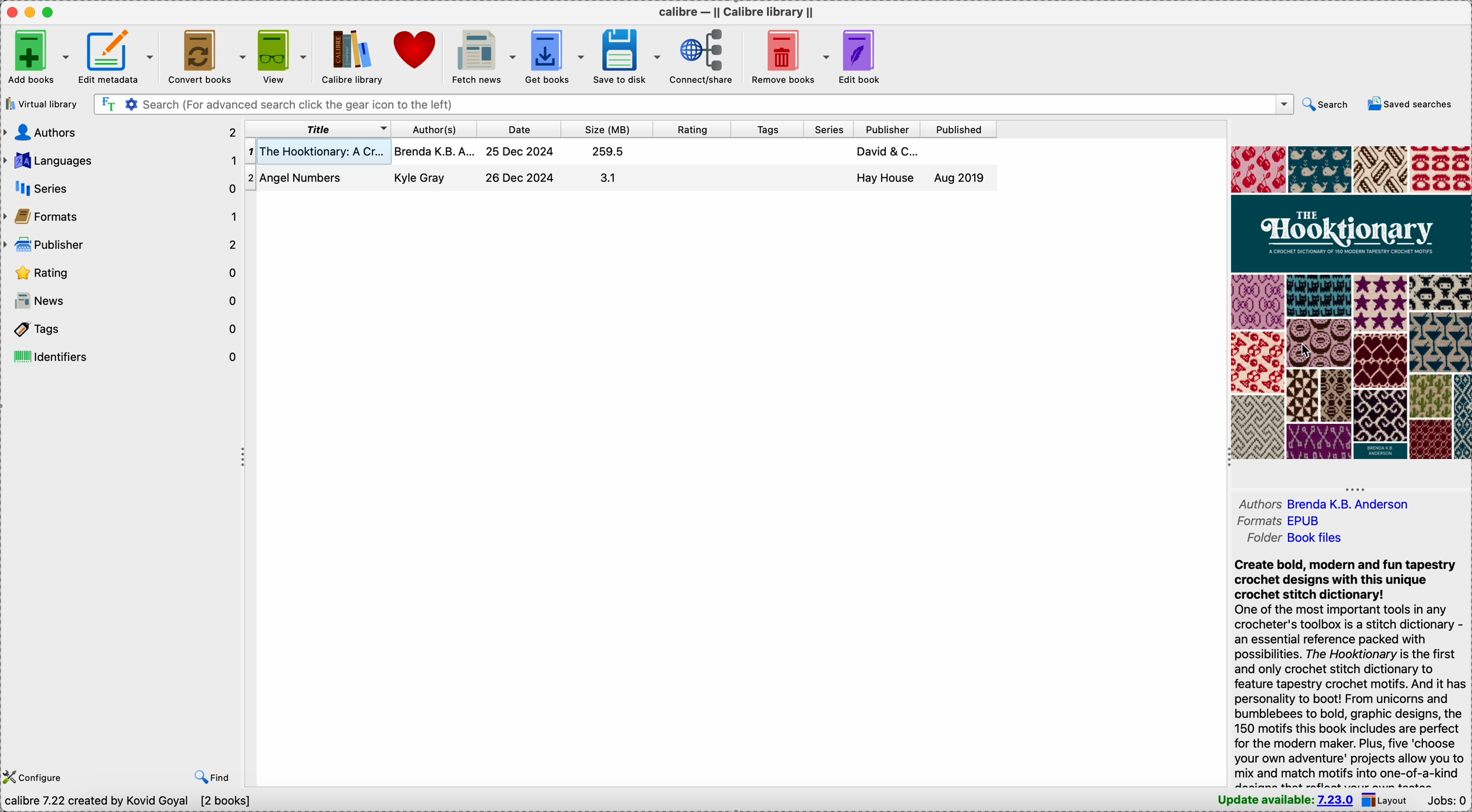  Describe the element at coordinates (624, 154) in the screenshot. I see `first book` at that location.